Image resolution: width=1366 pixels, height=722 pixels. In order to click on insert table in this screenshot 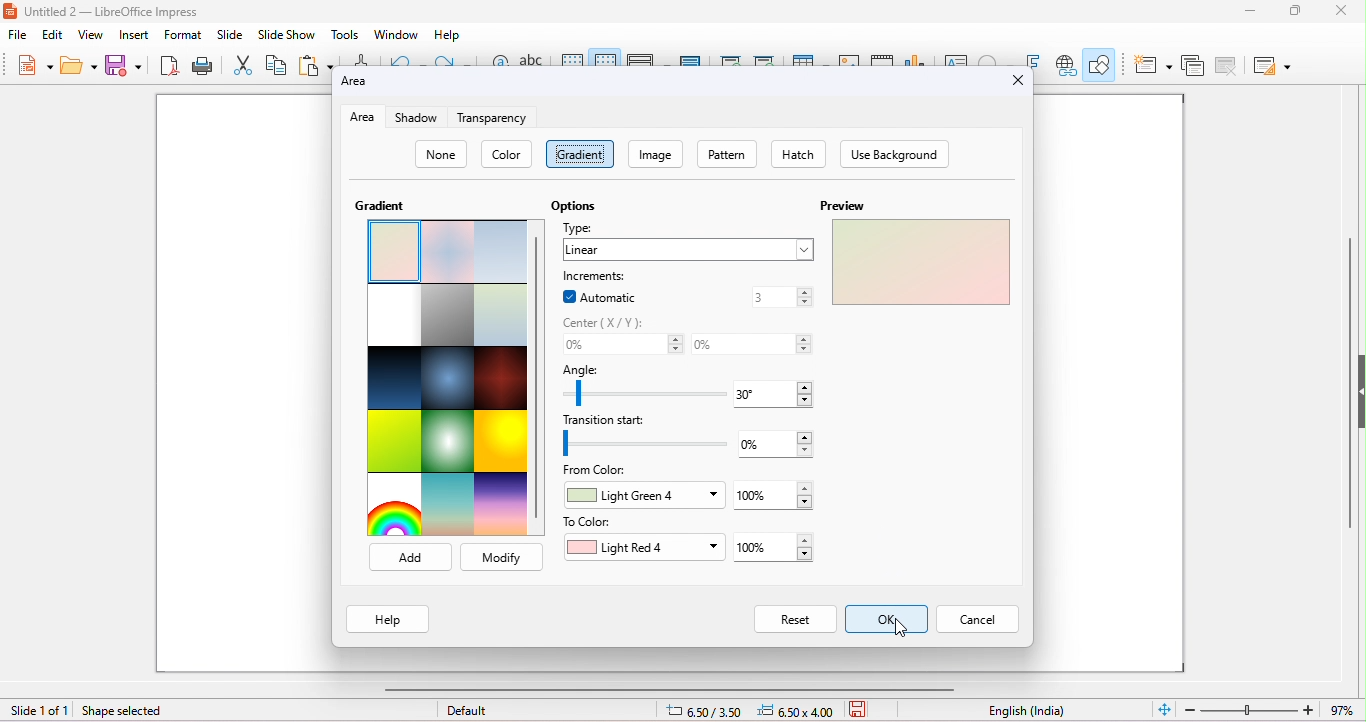, I will do `click(808, 56)`.